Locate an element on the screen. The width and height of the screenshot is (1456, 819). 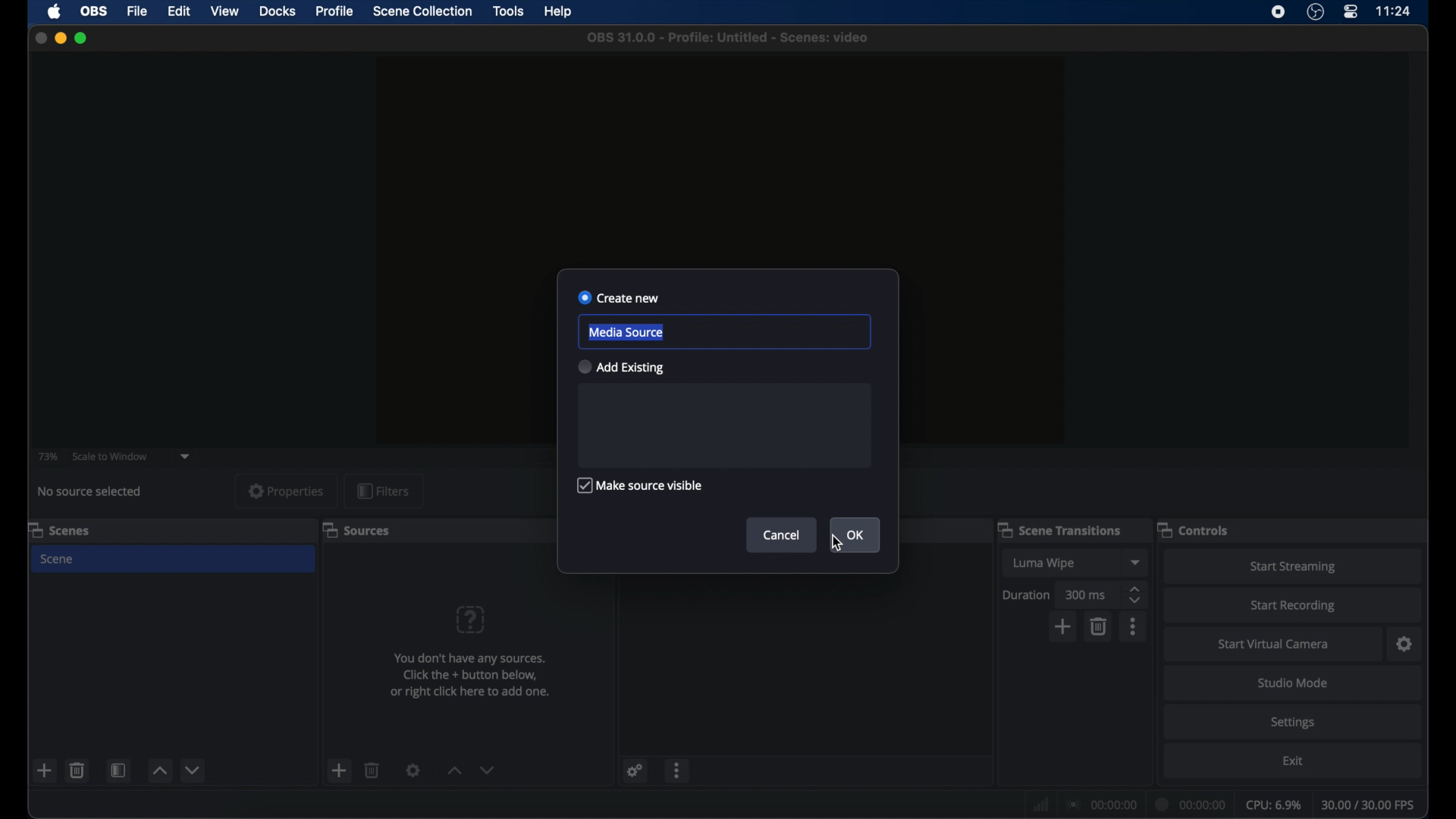
control center is located at coordinates (1350, 12).